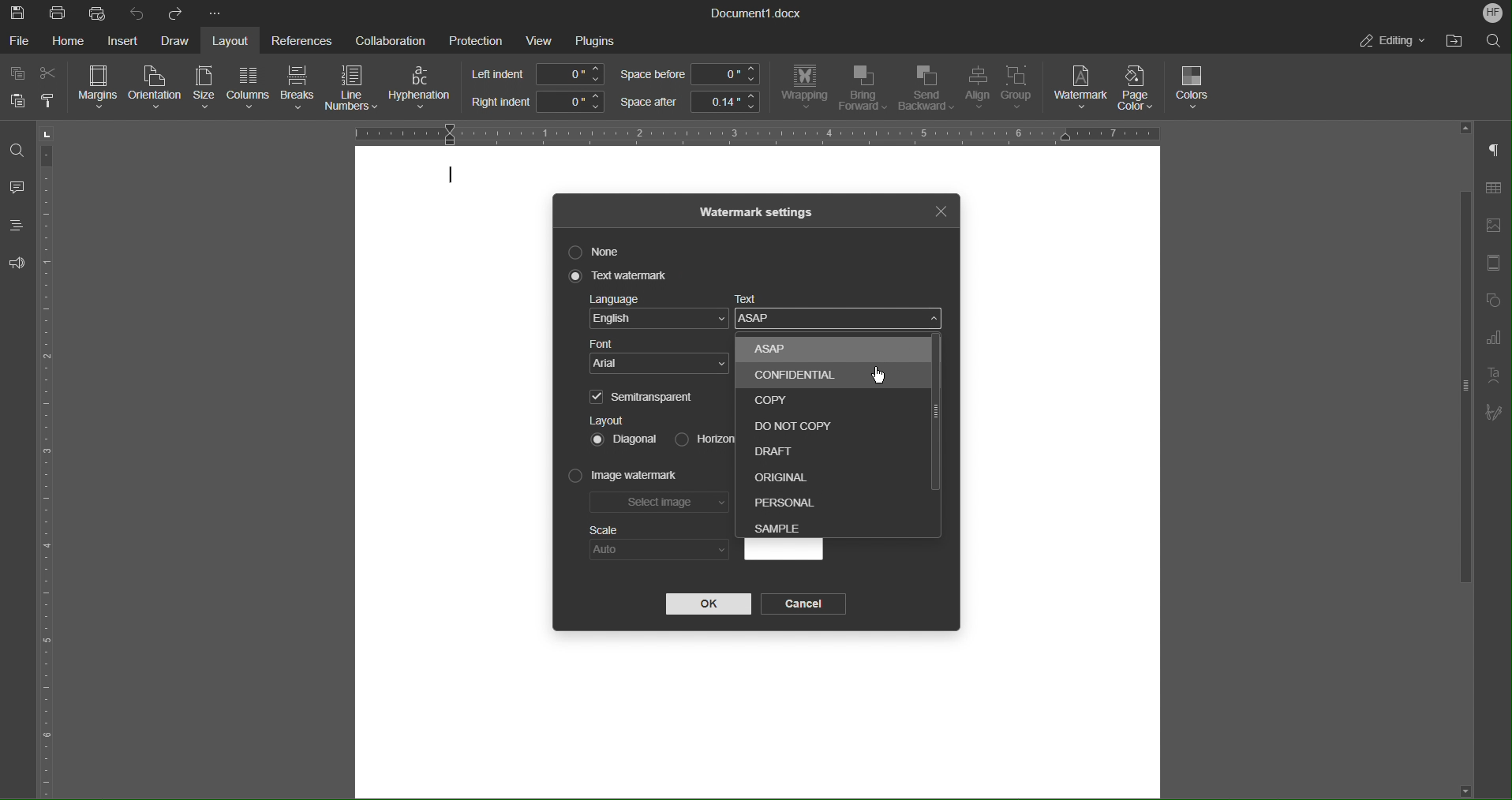 Image resolution: width=1512 pixels, height=800 pixels. What do you see at coordinates (804, 88) in the screenshot?
I see `Wrapping` at bounding box center [804, 88].